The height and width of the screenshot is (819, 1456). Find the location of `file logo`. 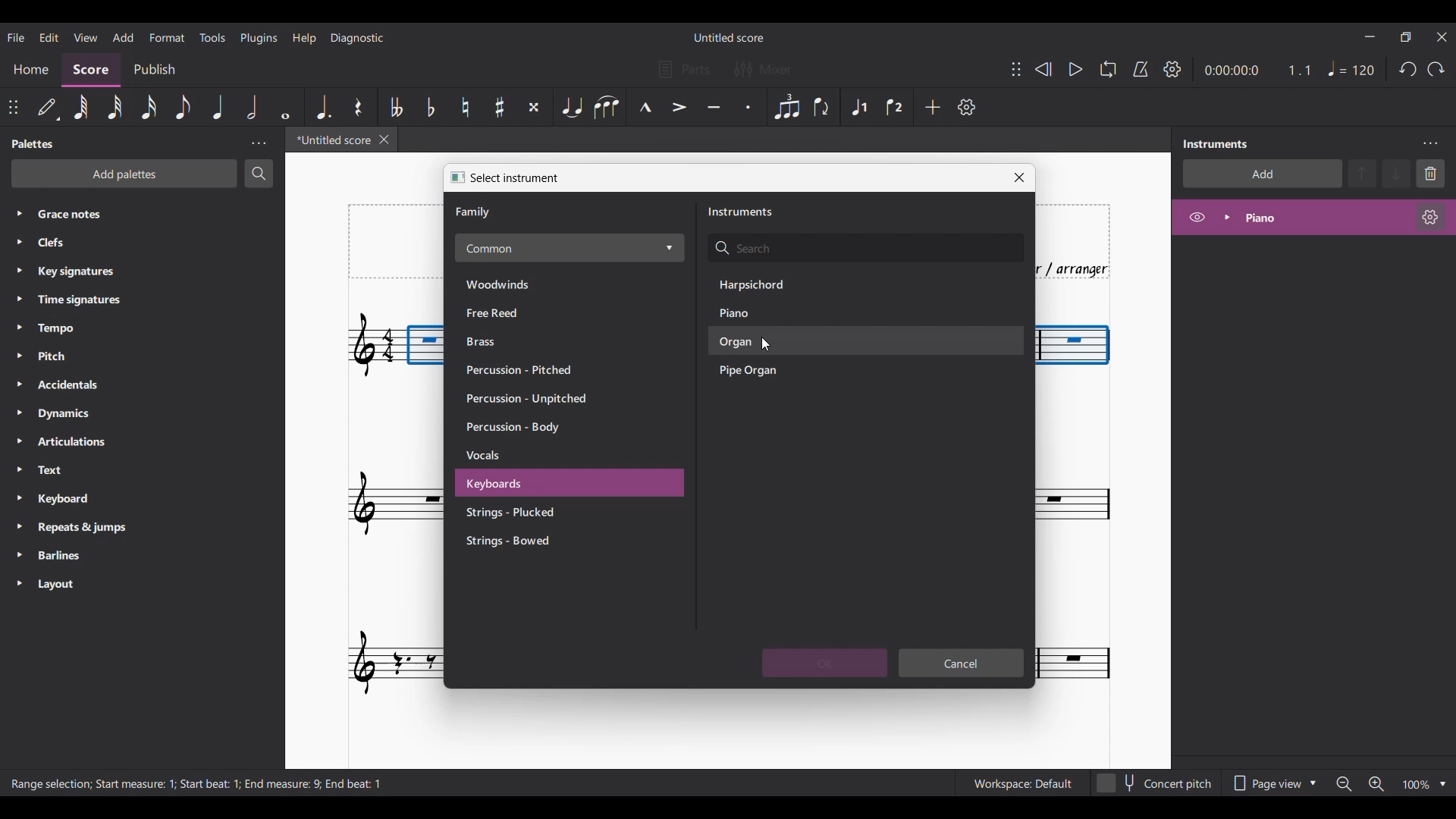

file logo is located at coordinates (453, 177).